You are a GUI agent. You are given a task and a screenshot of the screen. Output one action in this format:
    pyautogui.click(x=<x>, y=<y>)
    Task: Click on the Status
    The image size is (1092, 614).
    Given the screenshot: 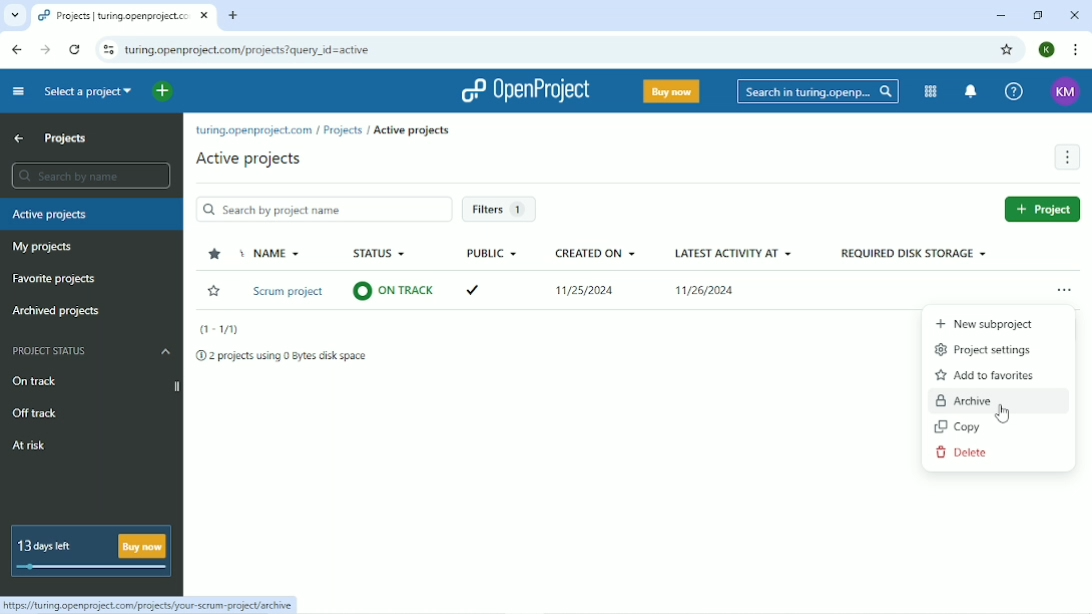 What is the action you would take?
    pyautogui.click(x=381, y=254)
    